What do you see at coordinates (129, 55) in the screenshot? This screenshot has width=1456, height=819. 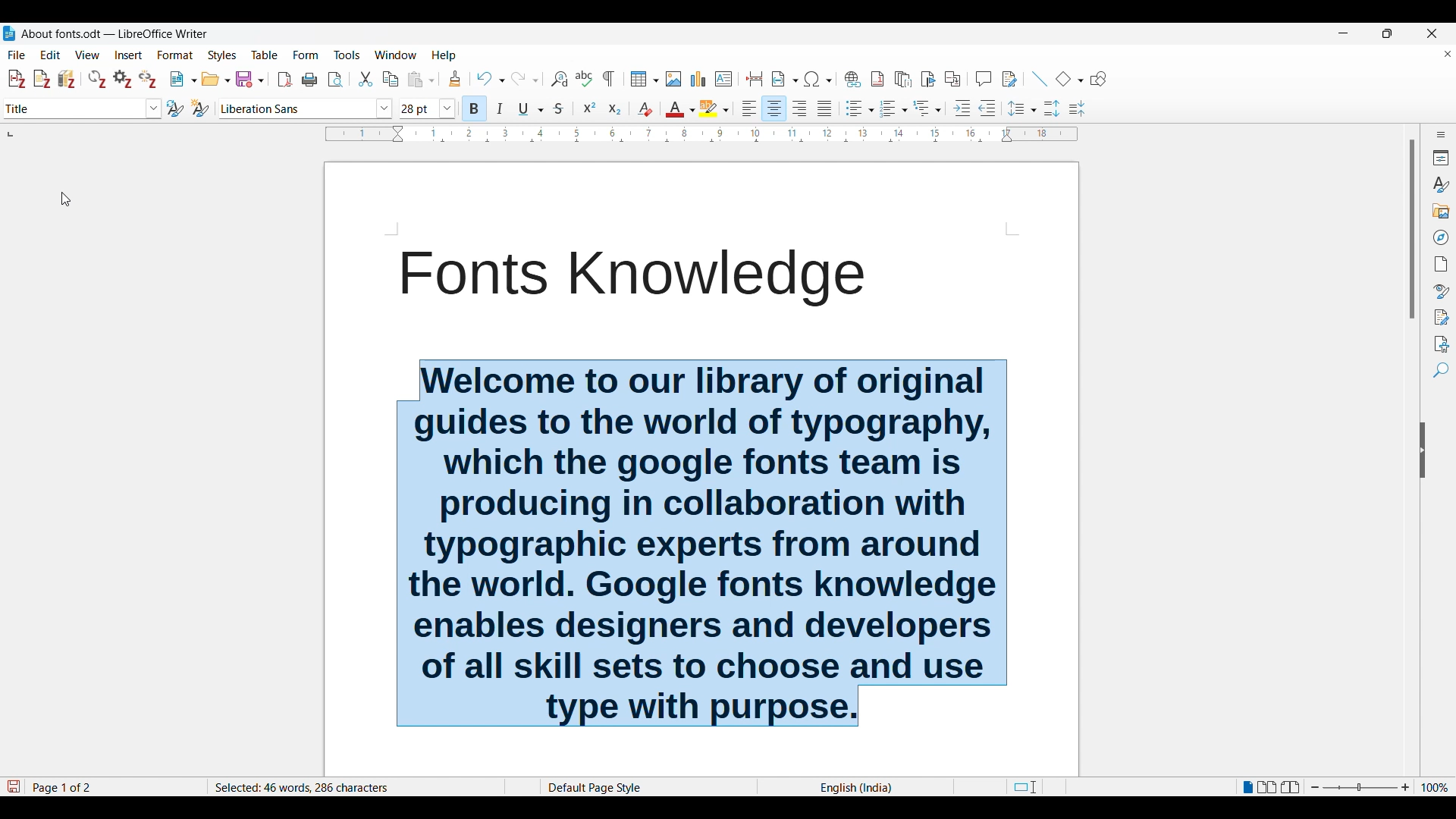 I see `Insert menu` at bounding box center [129, 55].